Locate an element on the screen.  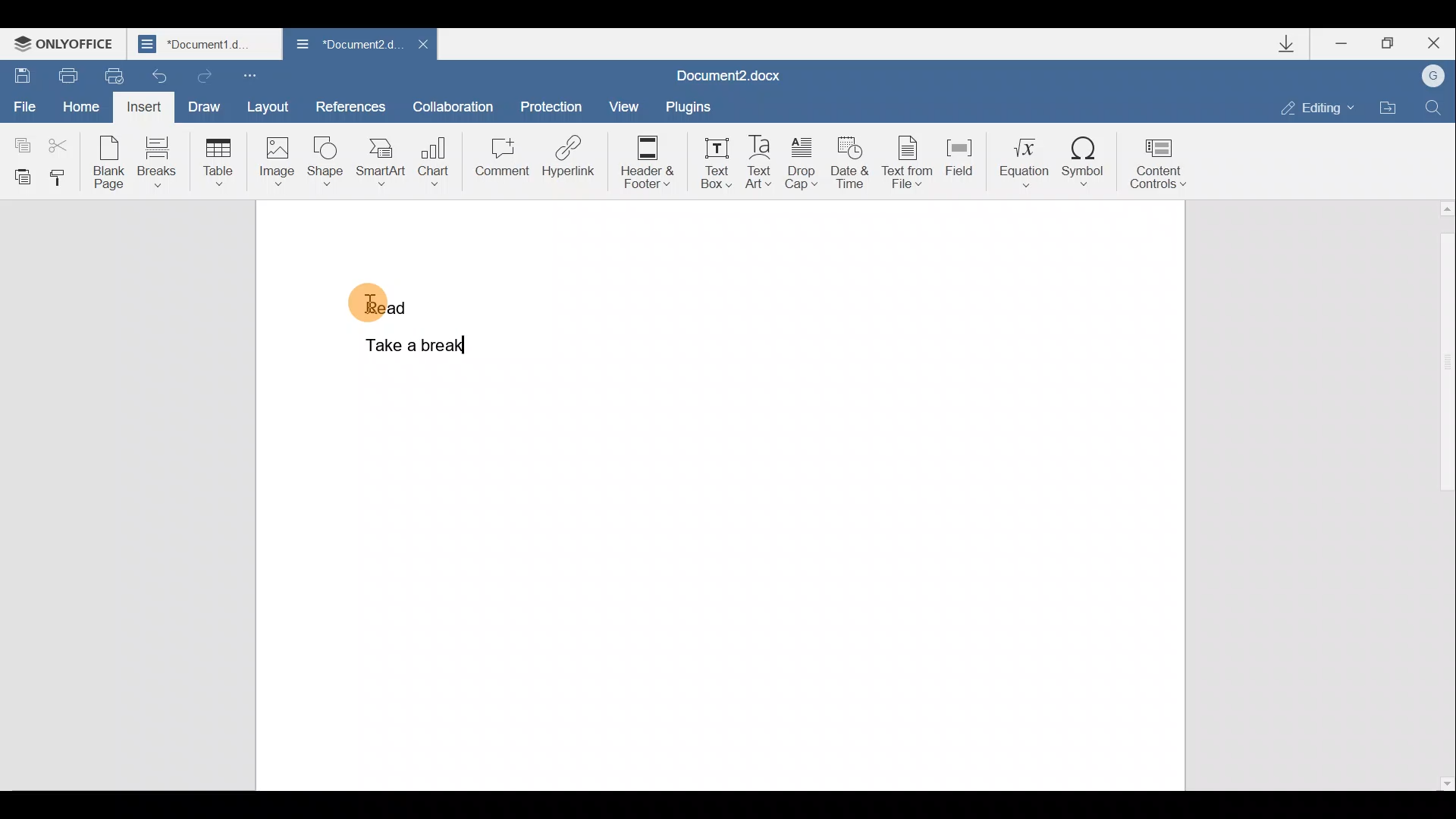
Plugins is located at coordinates (686, 106).